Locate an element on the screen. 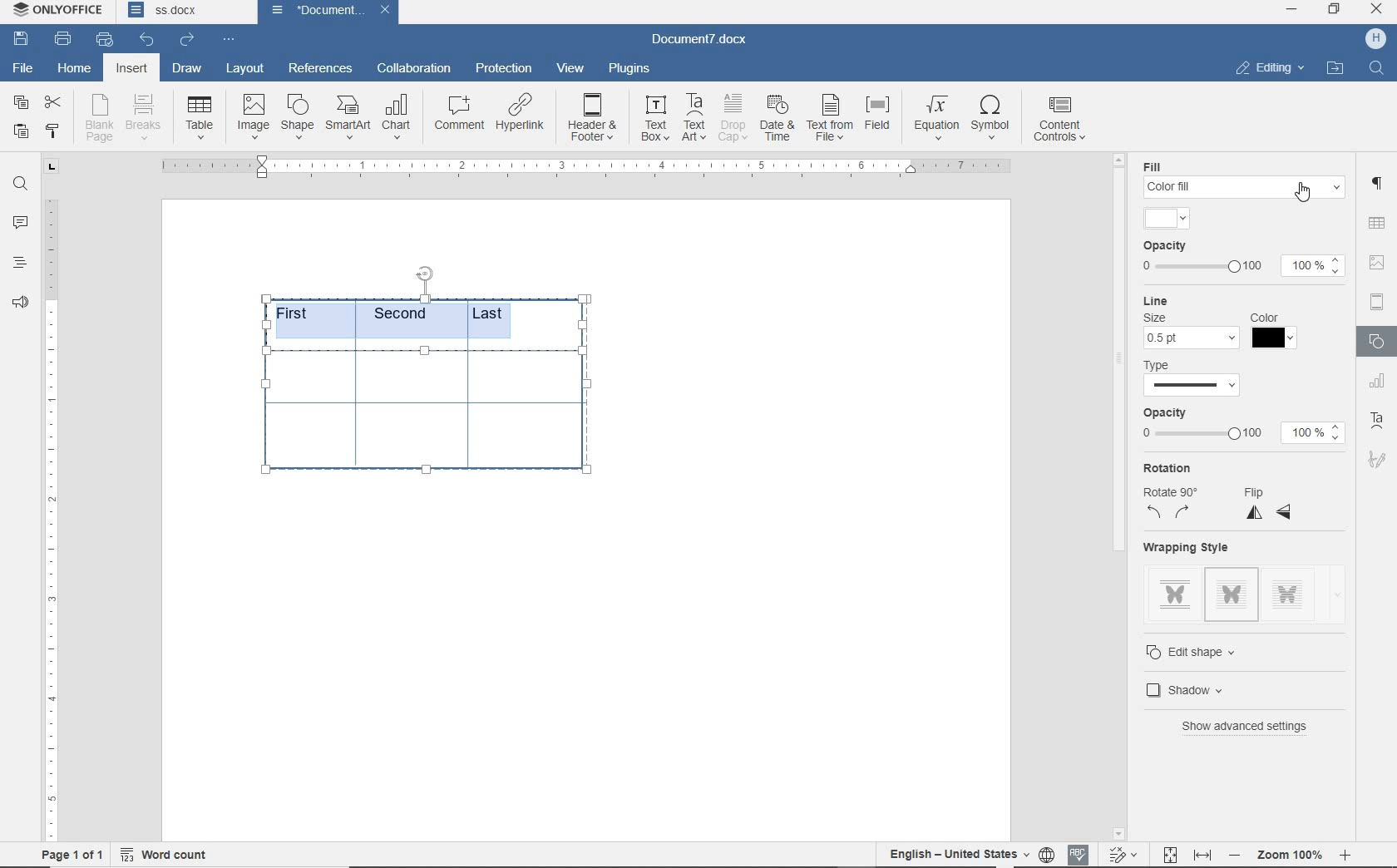 Image resolution: width=1397 pixels, height=868 pixels. set document language is located at coordinates (1046, 852).